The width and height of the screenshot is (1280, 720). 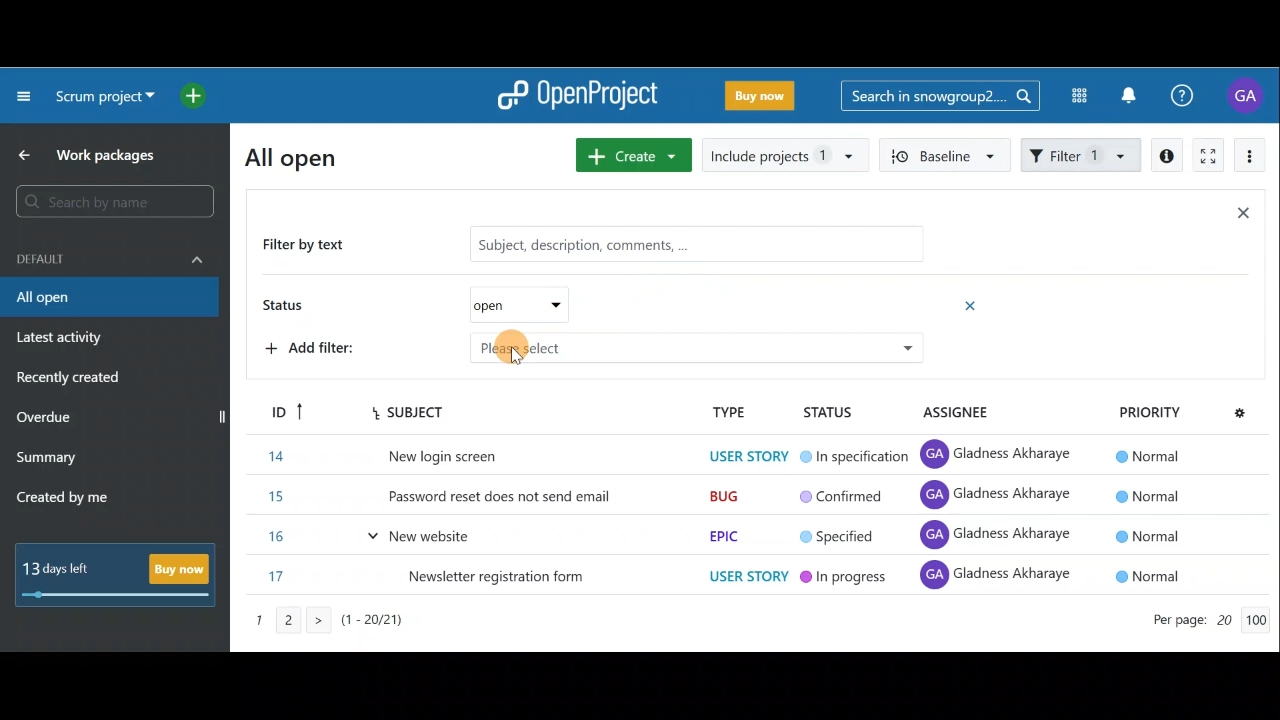 What do you see at coordinates (1206, 157) in the screenshot?
I see `Activate zen mode` at bounding box center [1206, 157].